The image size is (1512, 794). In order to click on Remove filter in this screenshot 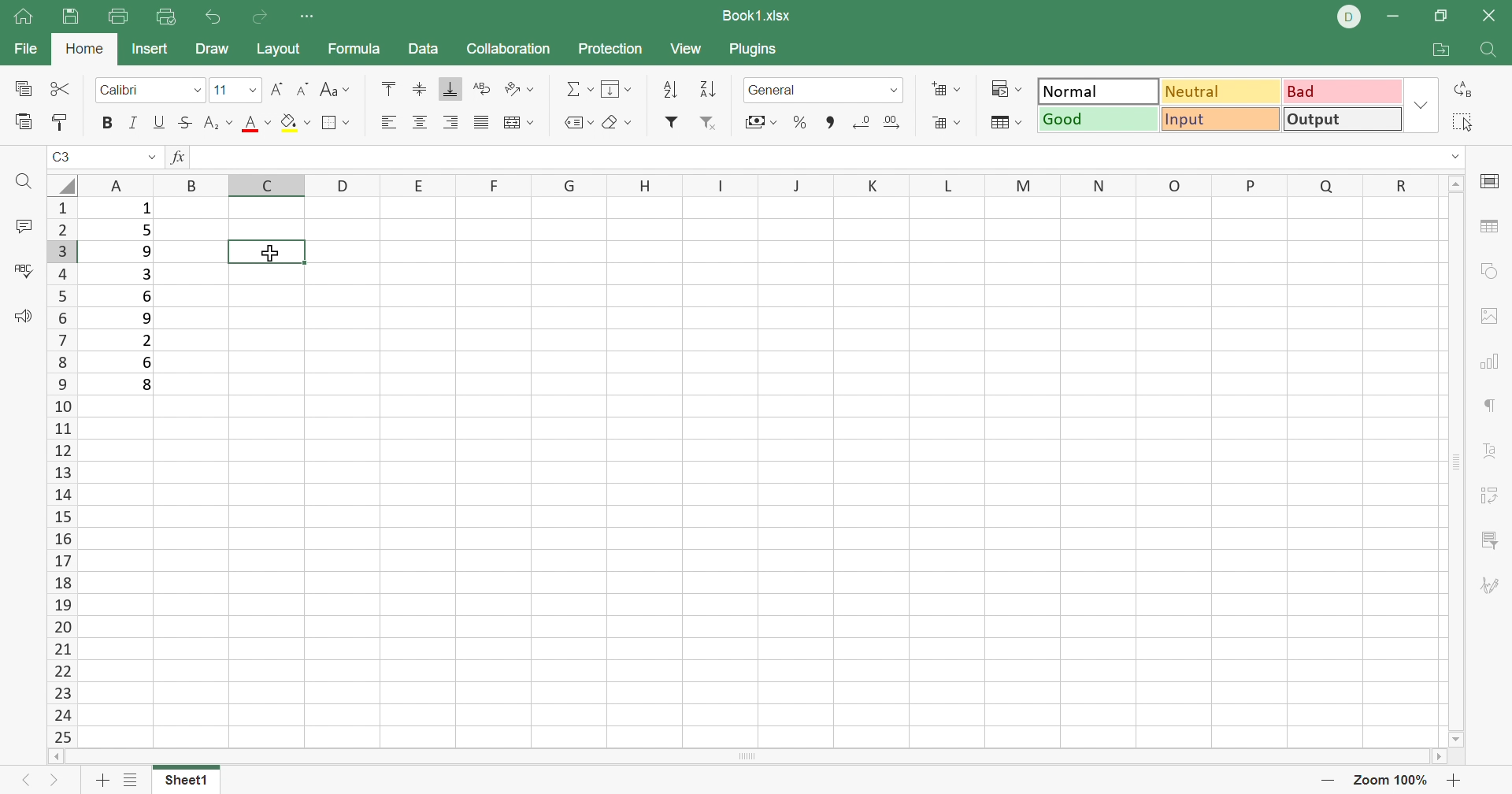, I will do `click(711, 122)`.